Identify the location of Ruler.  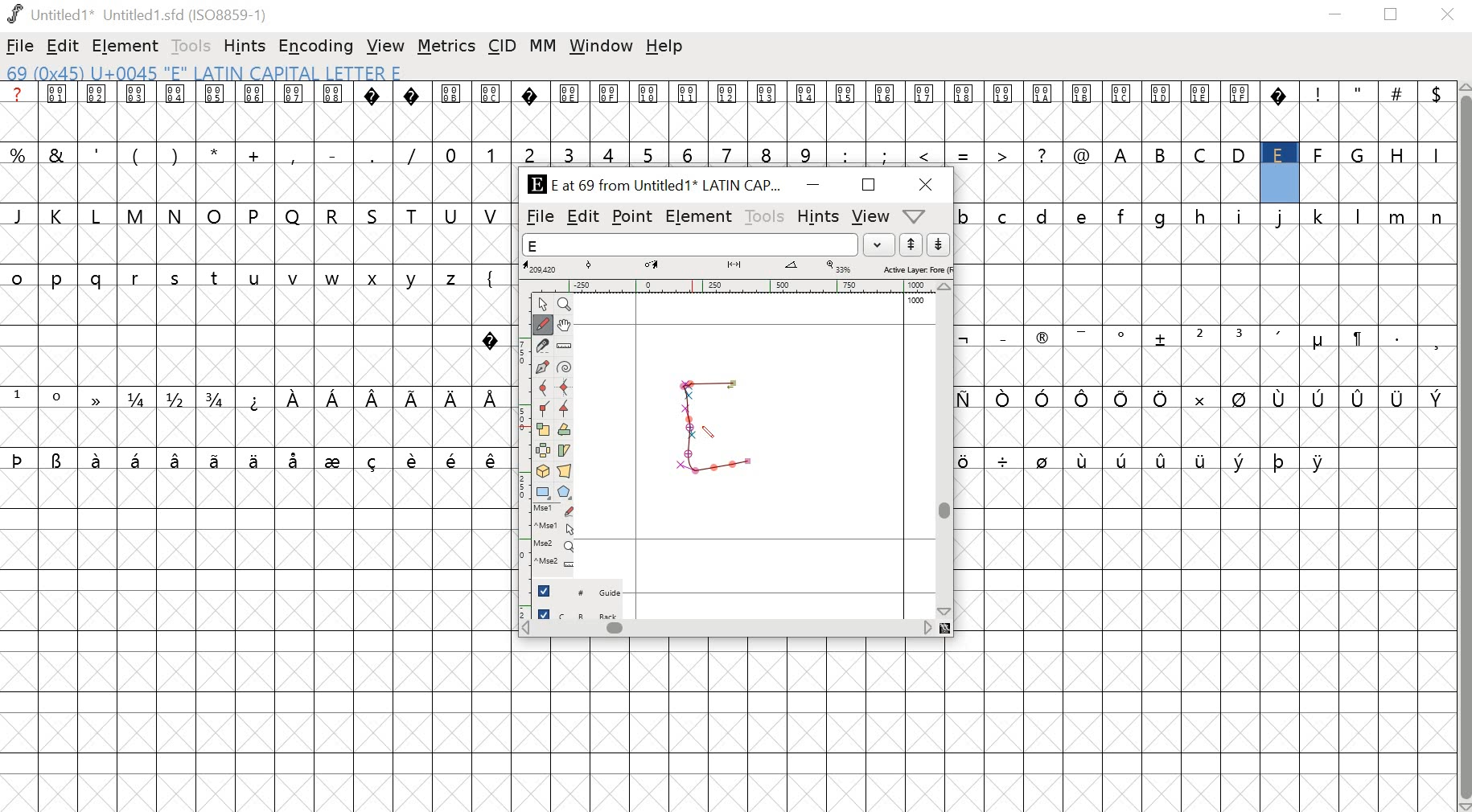
(565, 345).